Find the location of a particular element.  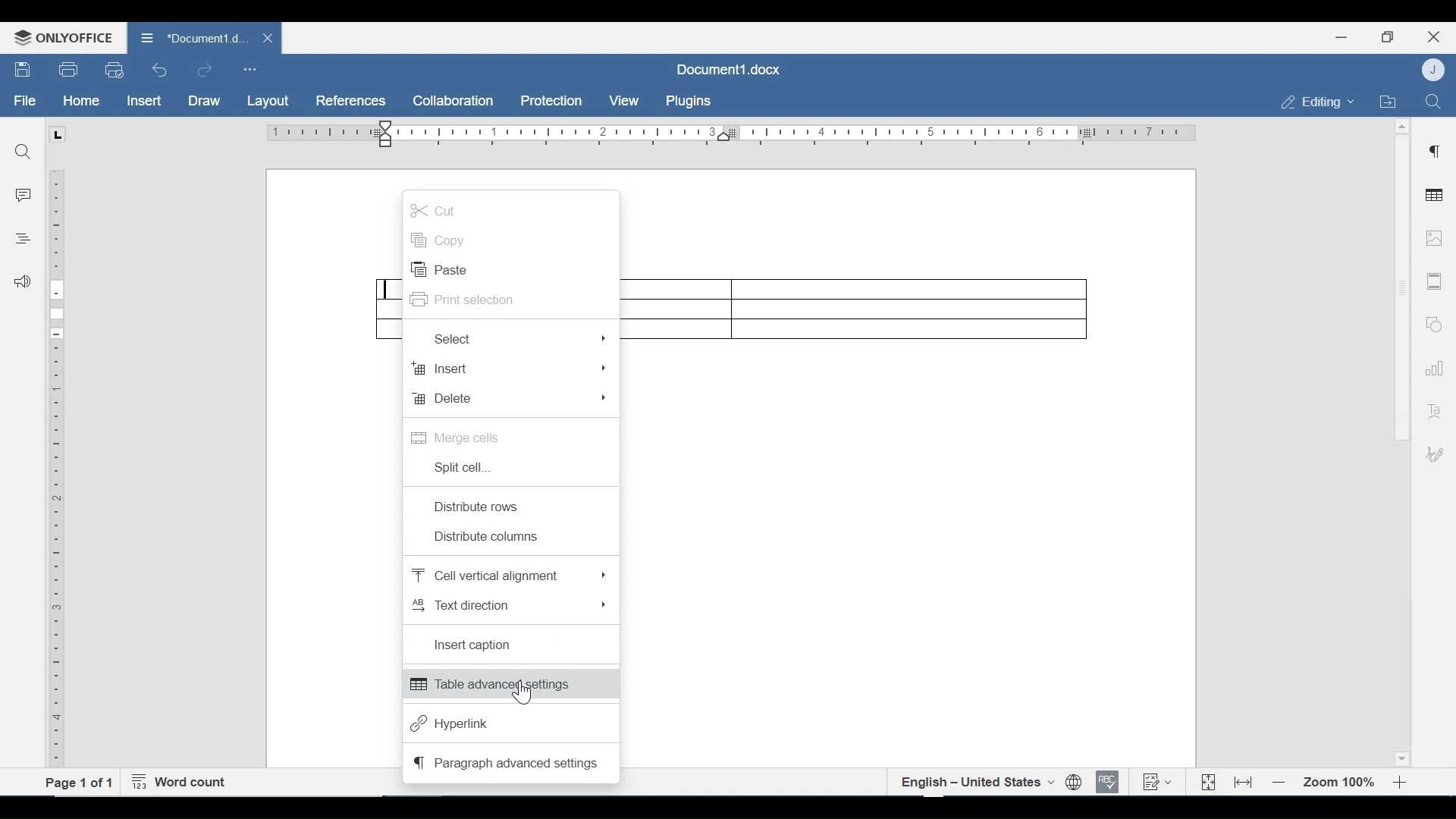

Text Direction is located at coordinates (508, 604).